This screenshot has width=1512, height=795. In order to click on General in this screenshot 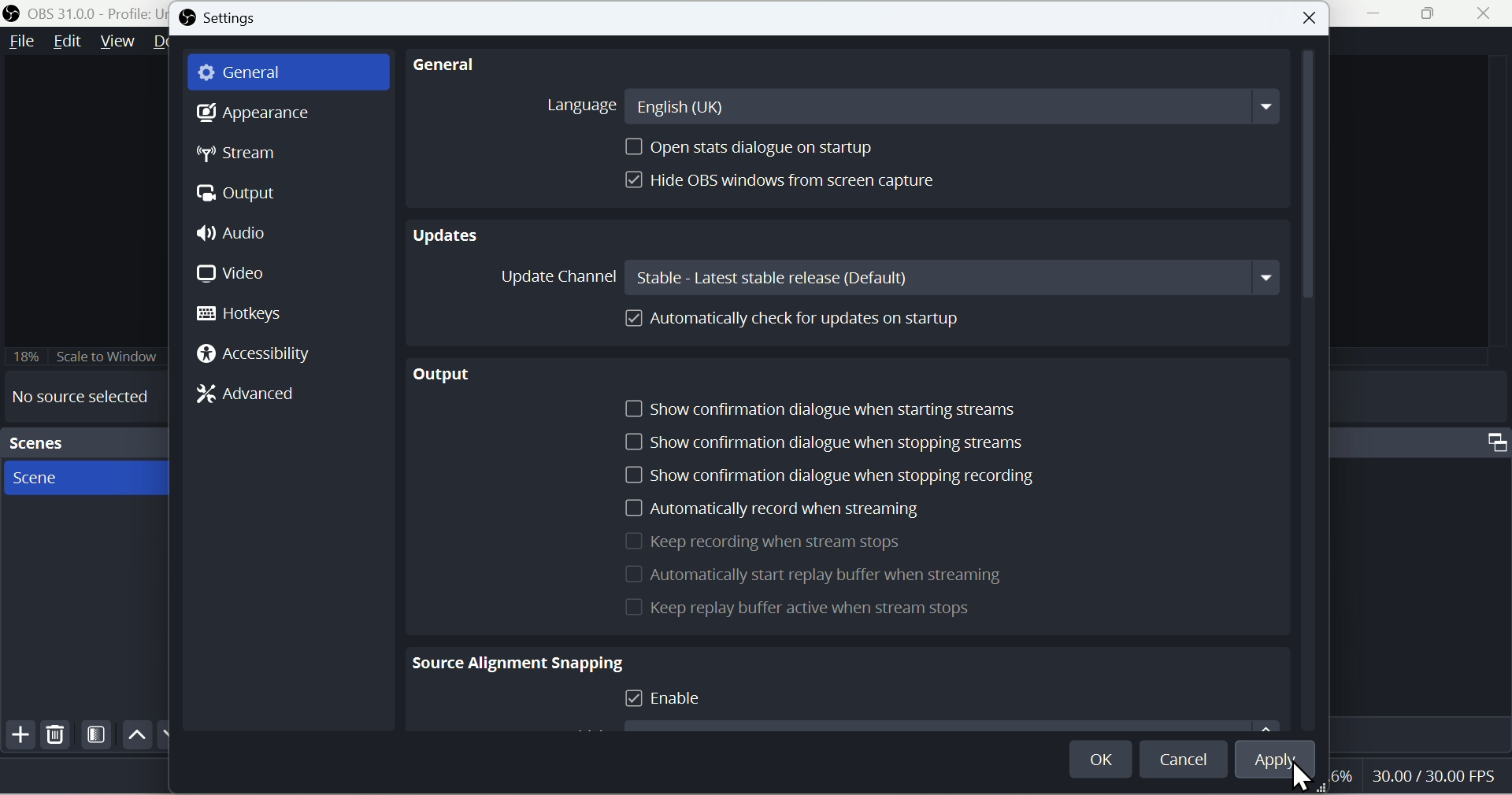, I will do `click(445, 65)`.